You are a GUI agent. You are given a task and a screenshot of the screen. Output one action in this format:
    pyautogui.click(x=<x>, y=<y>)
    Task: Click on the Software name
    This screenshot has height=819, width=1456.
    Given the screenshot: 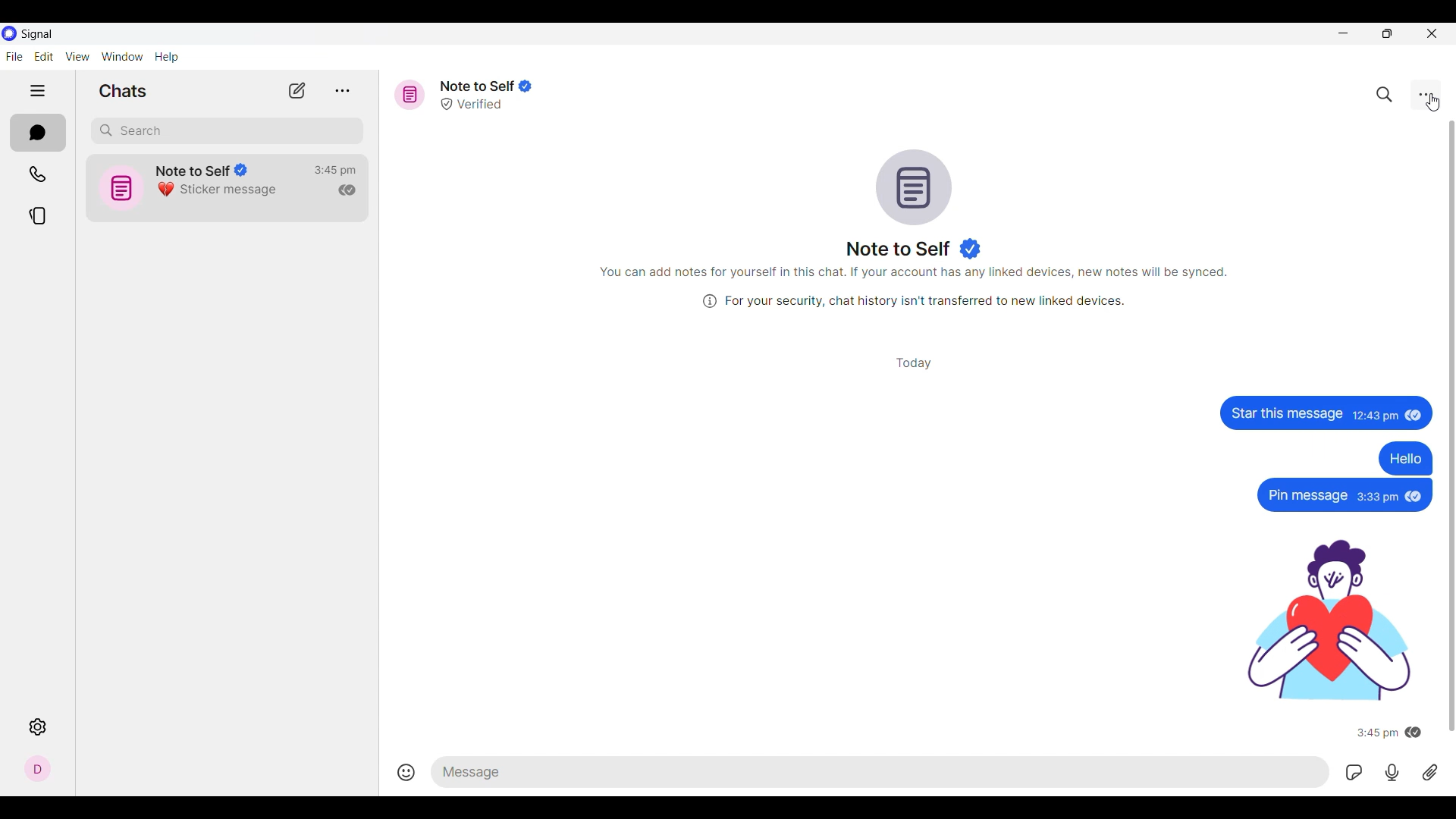 What is the action you would take?
    pyautogui.click(x=36, y=34)
    